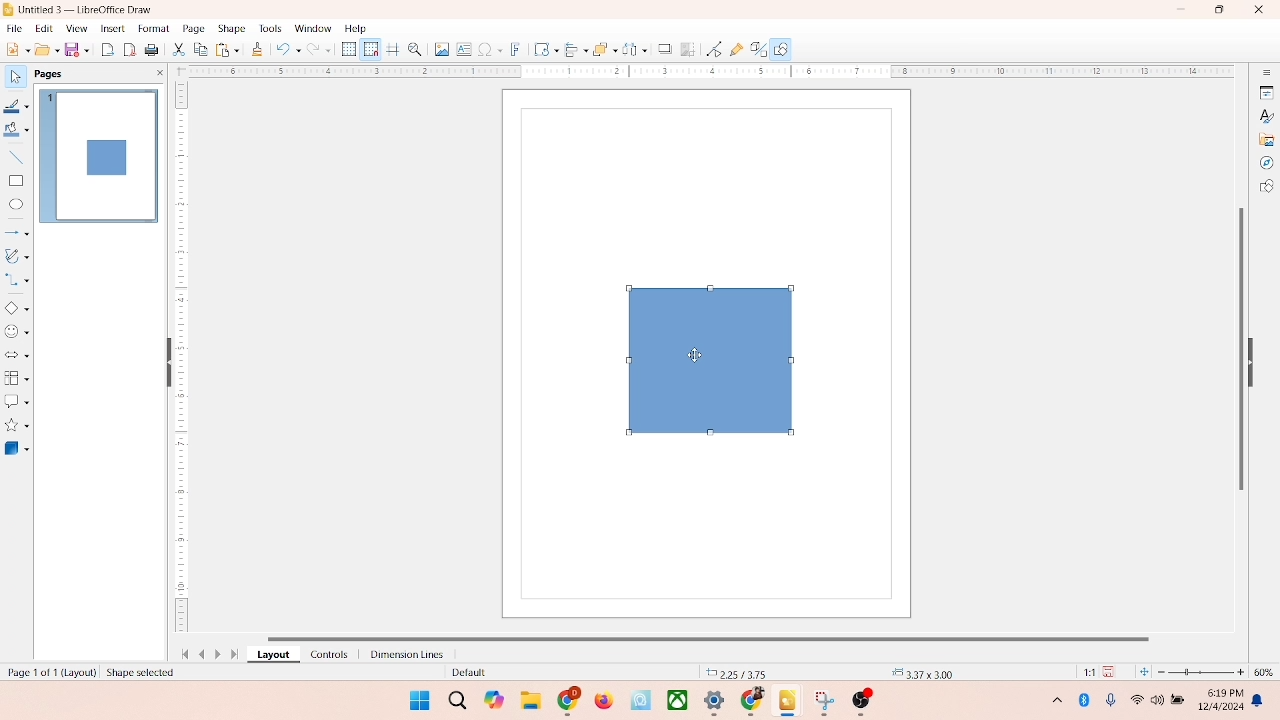 This screenshot has height=720, width=1280. What do you see at coordinates (1239, 347) in the screenshot?
I see `vertical scroll bar` at bounding box center [1239, 347].